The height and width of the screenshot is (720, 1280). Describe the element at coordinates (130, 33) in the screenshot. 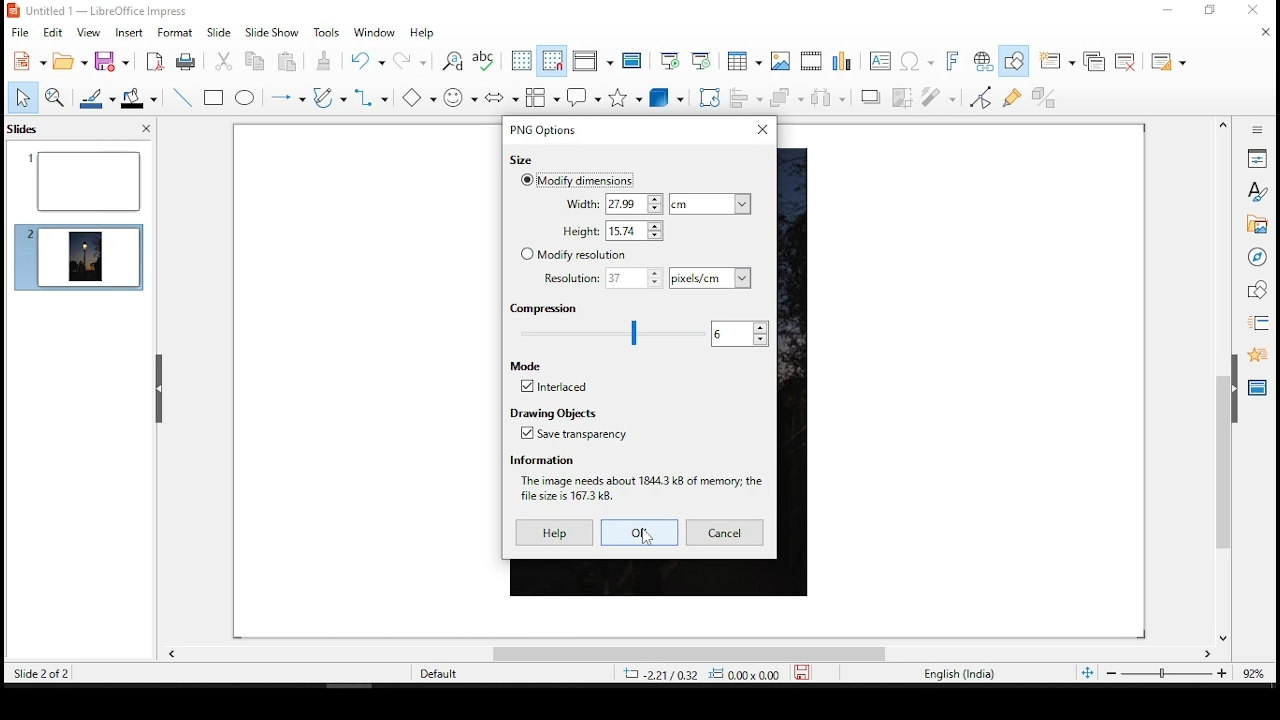

I see `insert` at that location.